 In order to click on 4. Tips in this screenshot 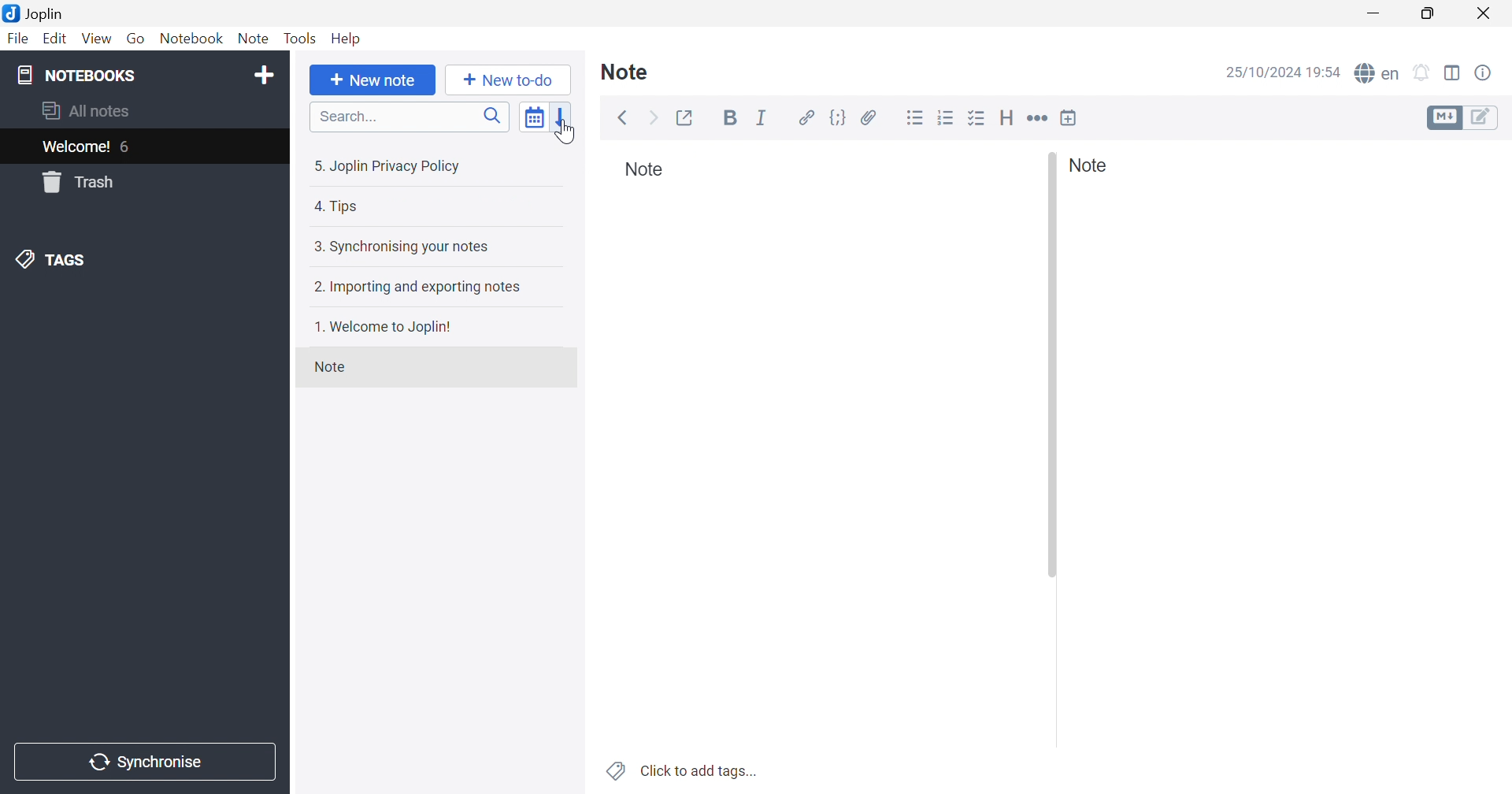, I will do `click(334, 207)`.